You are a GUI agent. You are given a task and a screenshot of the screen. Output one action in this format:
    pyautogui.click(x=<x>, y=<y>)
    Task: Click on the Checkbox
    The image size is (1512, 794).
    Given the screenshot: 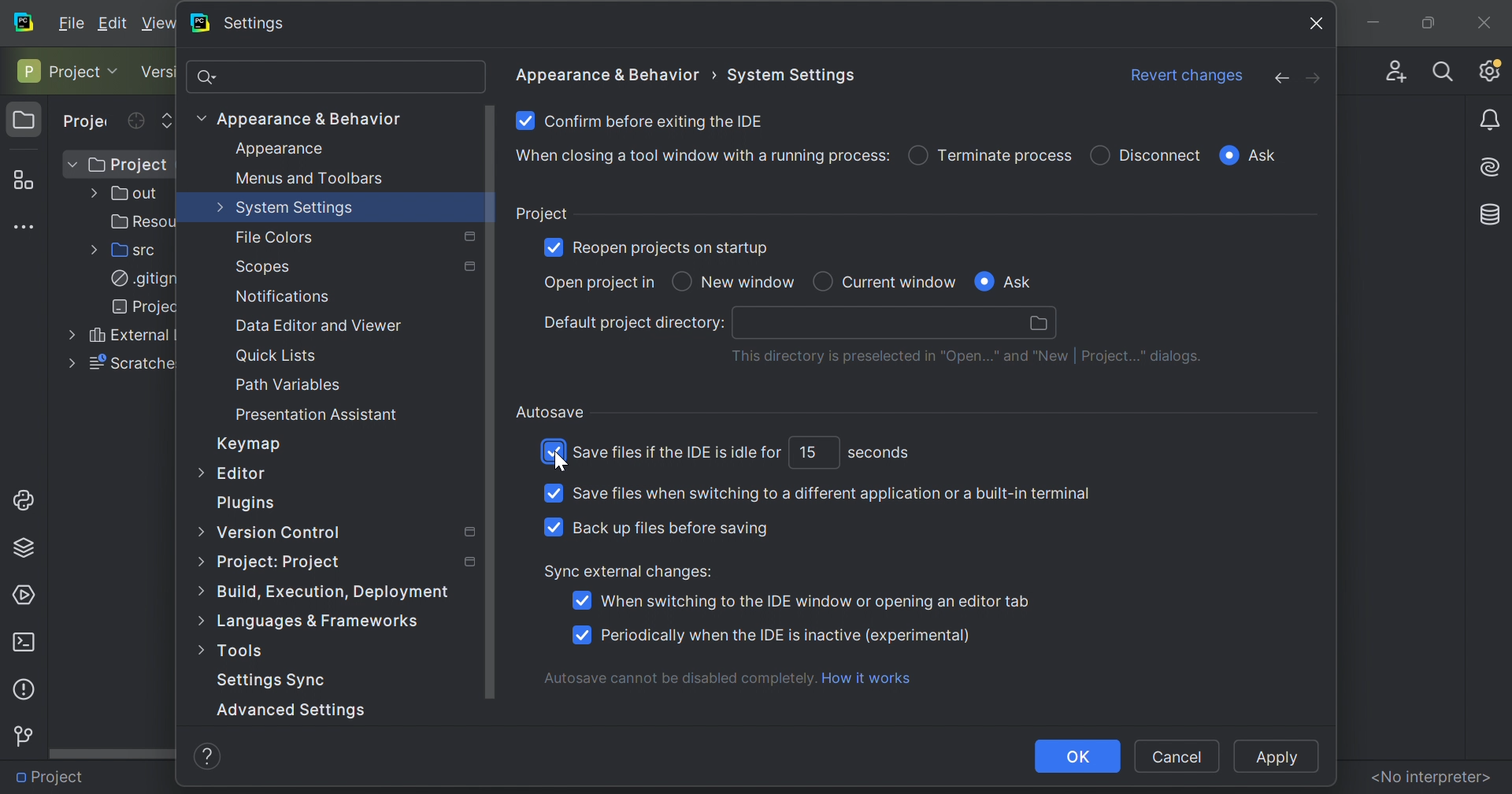 What is the action you would take?
    pyautogui.click(x=553, y=451)
    